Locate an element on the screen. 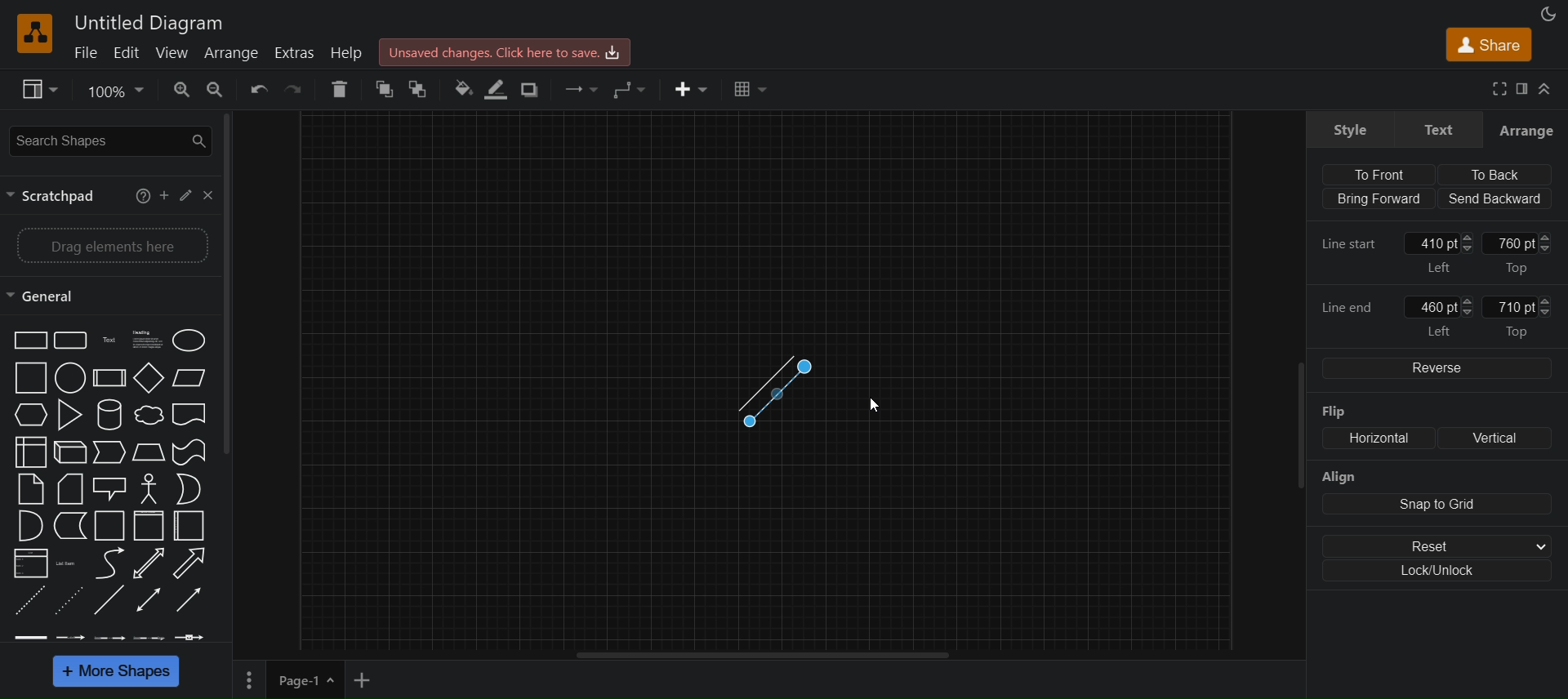 The width and height of the screenshot is (1568, 699). Parallelogram is located at coordinates (189, 377).